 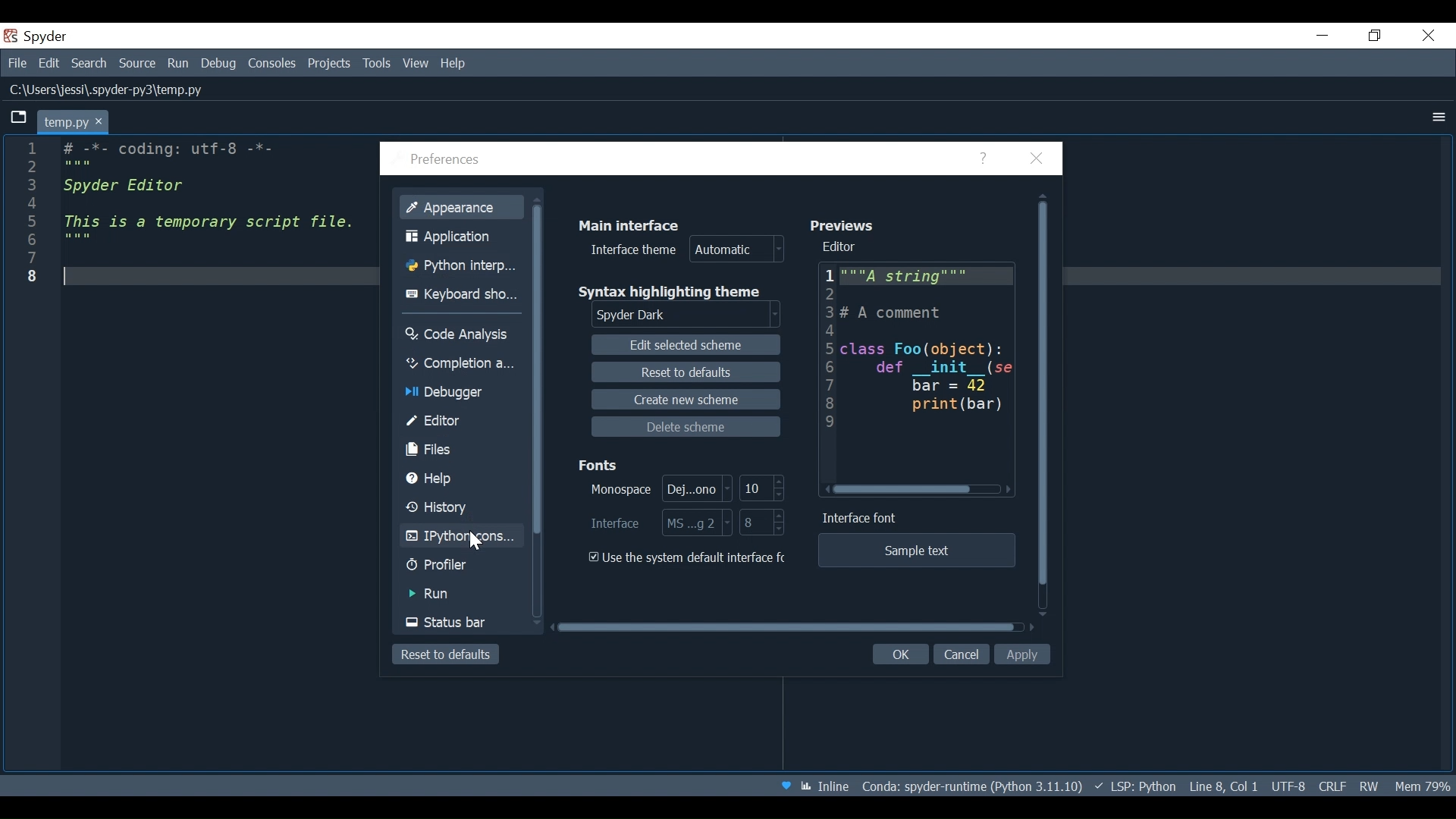 I want to click on Interface font, so click(x=861, y=520).